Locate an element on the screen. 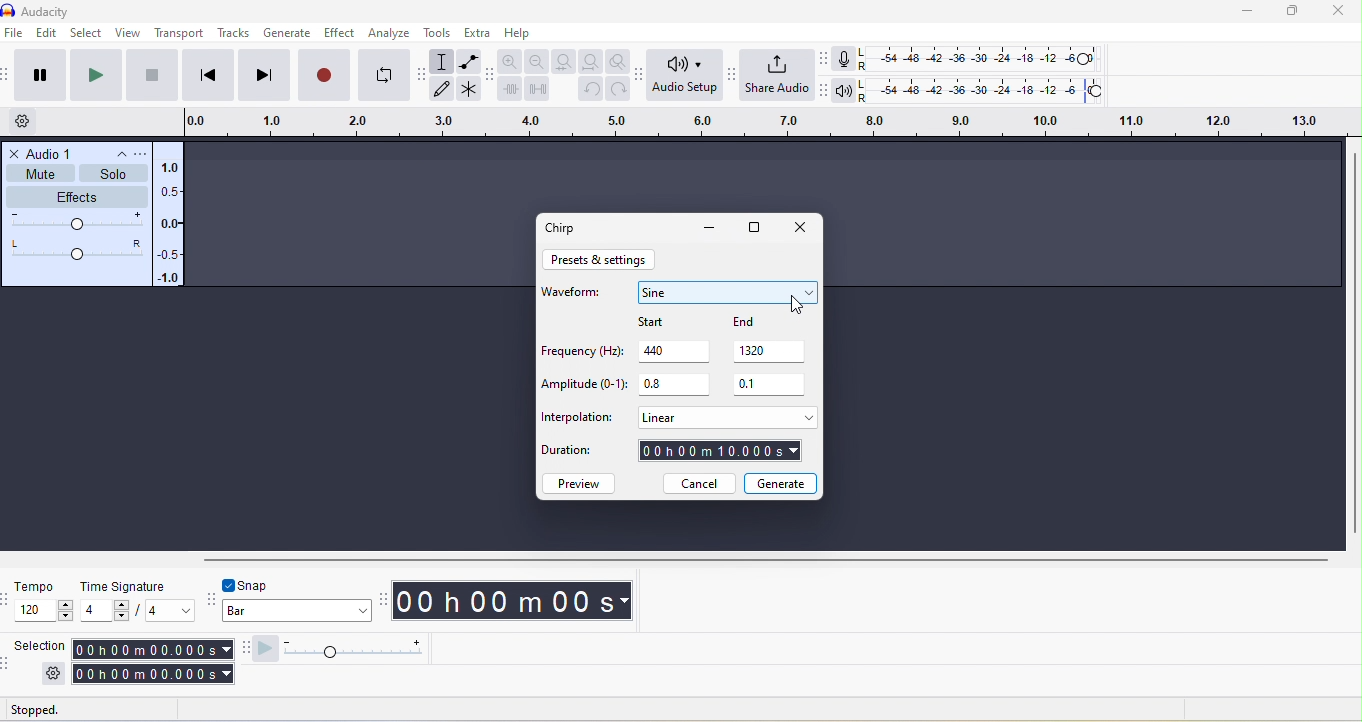 The width and height of the screenshot is (1362, 722). fit selection to width is located at coordinates (561, 61).